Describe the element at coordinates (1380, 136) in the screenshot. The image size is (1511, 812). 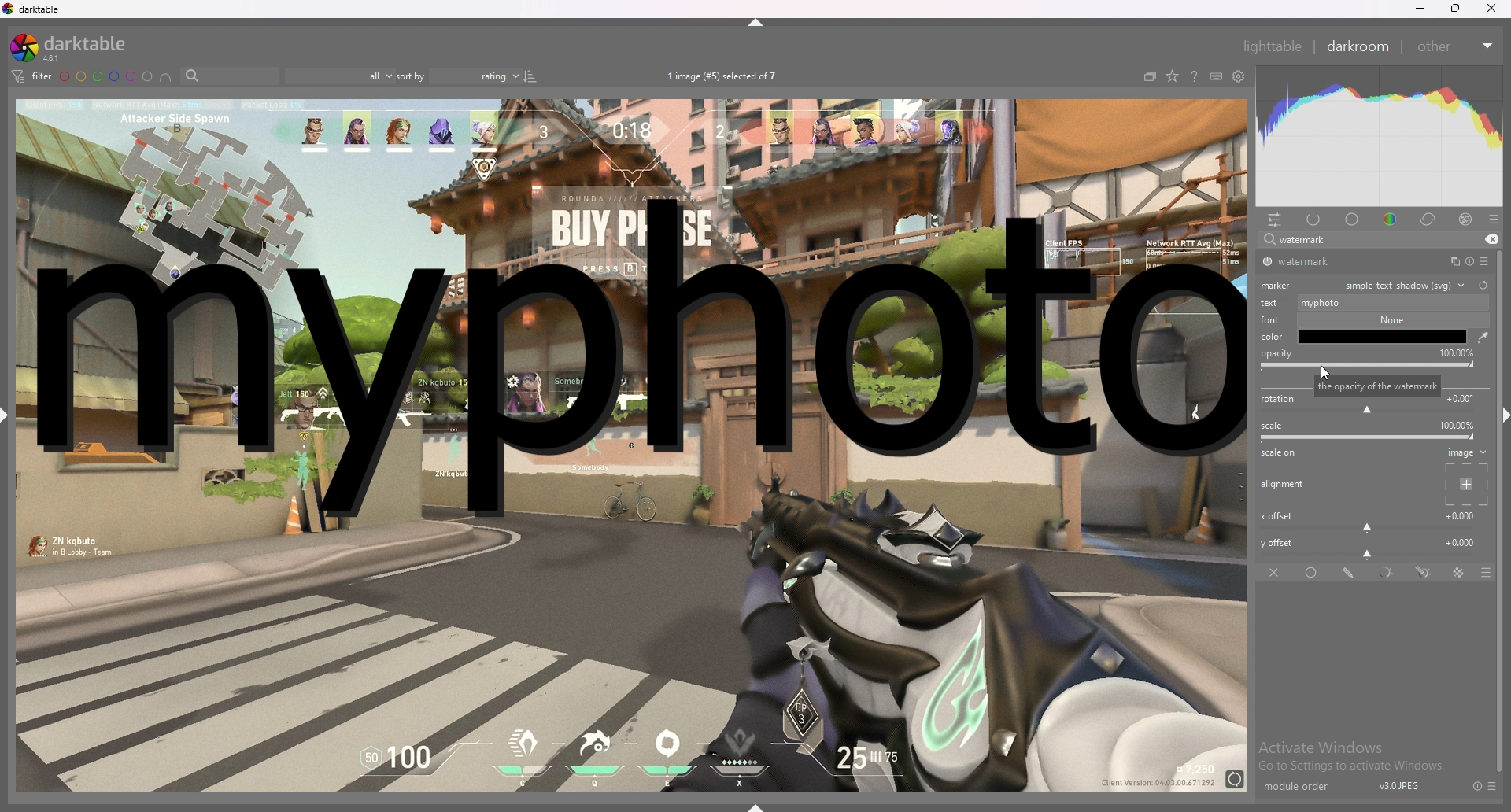
I see `heat graph` at that location.